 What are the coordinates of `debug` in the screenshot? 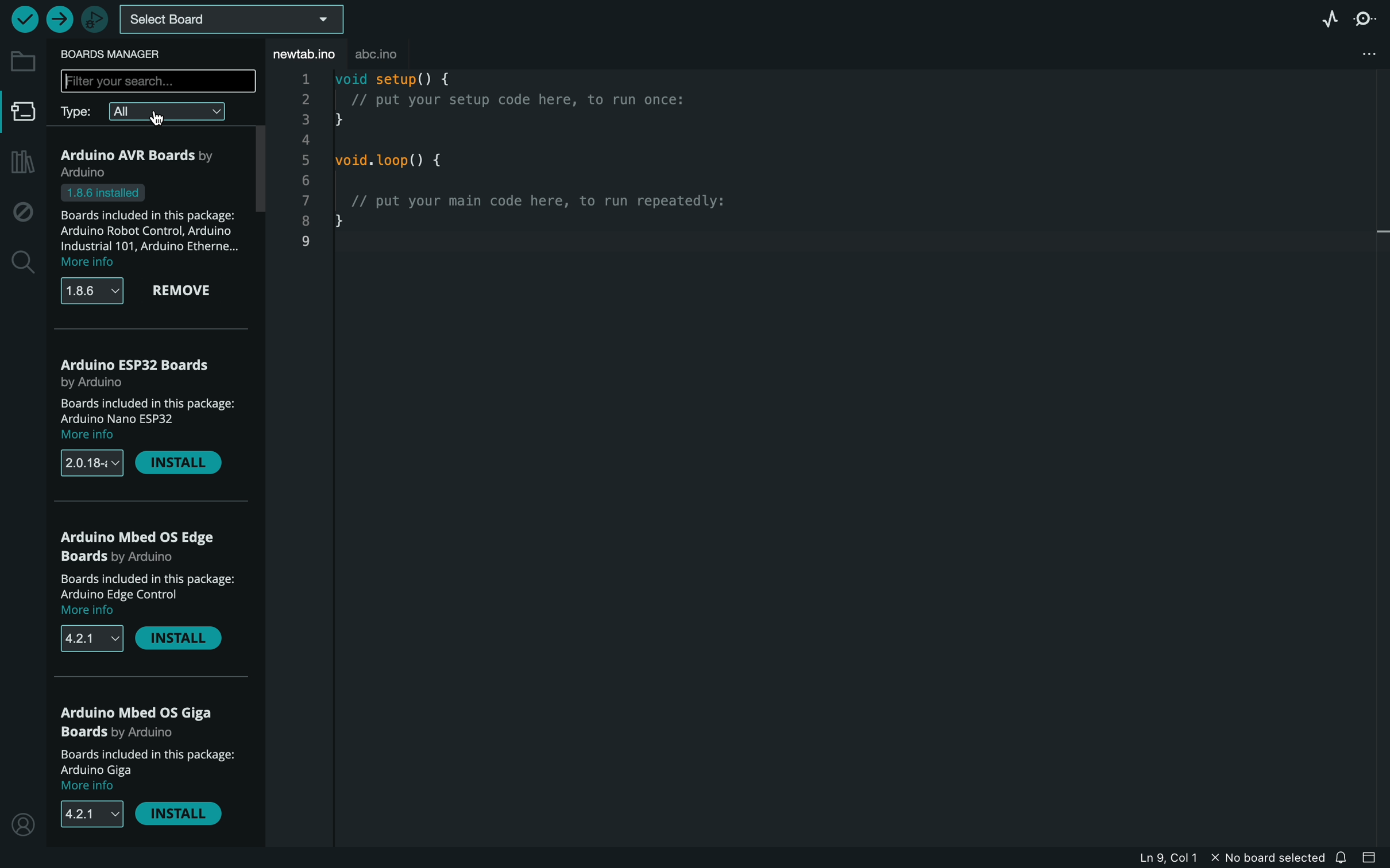 It's located at (20, 208).